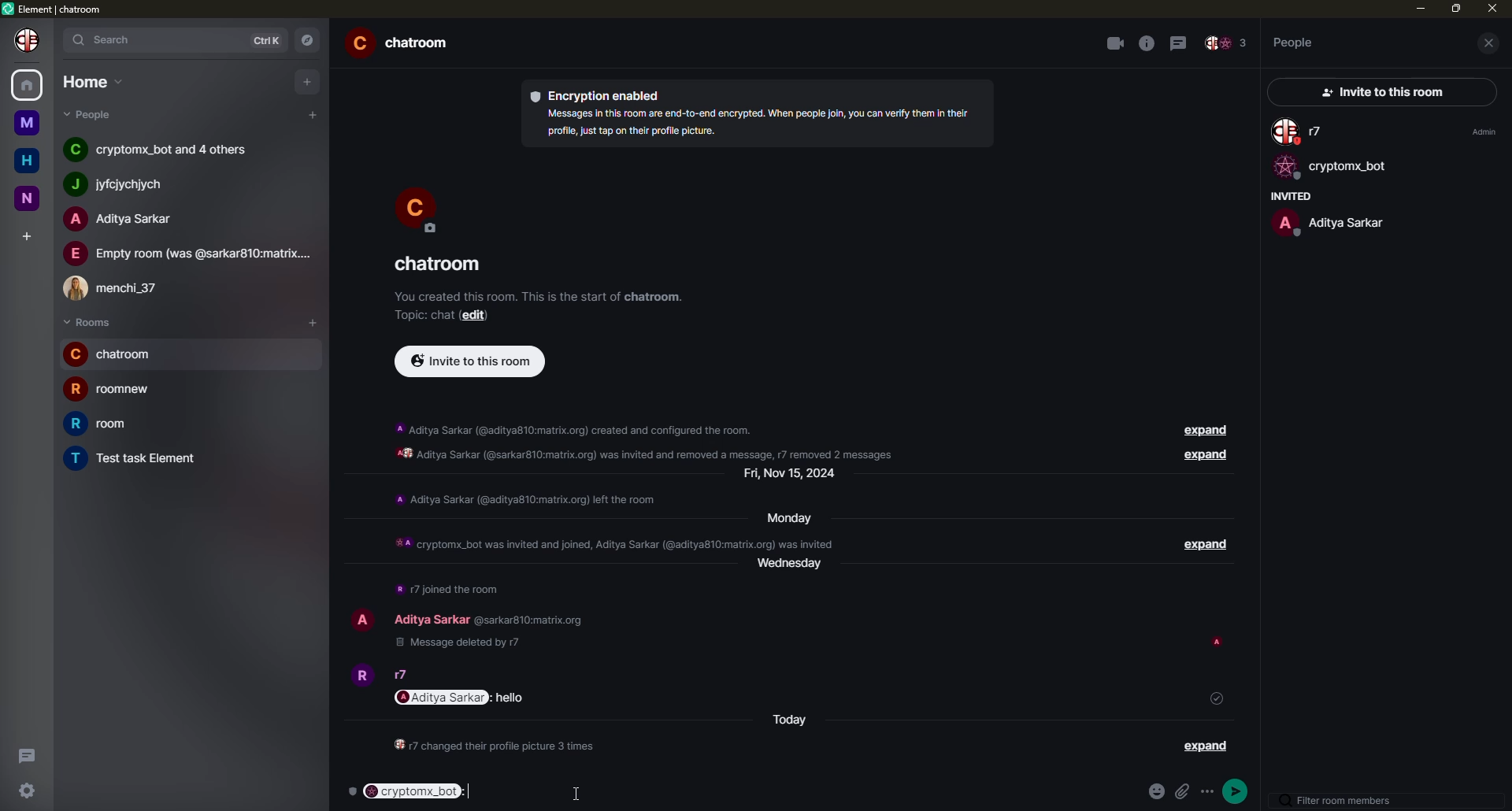 Image resolution: width=1512 pixels, height=811 pixels. I want to click on people, so click(97, 114).